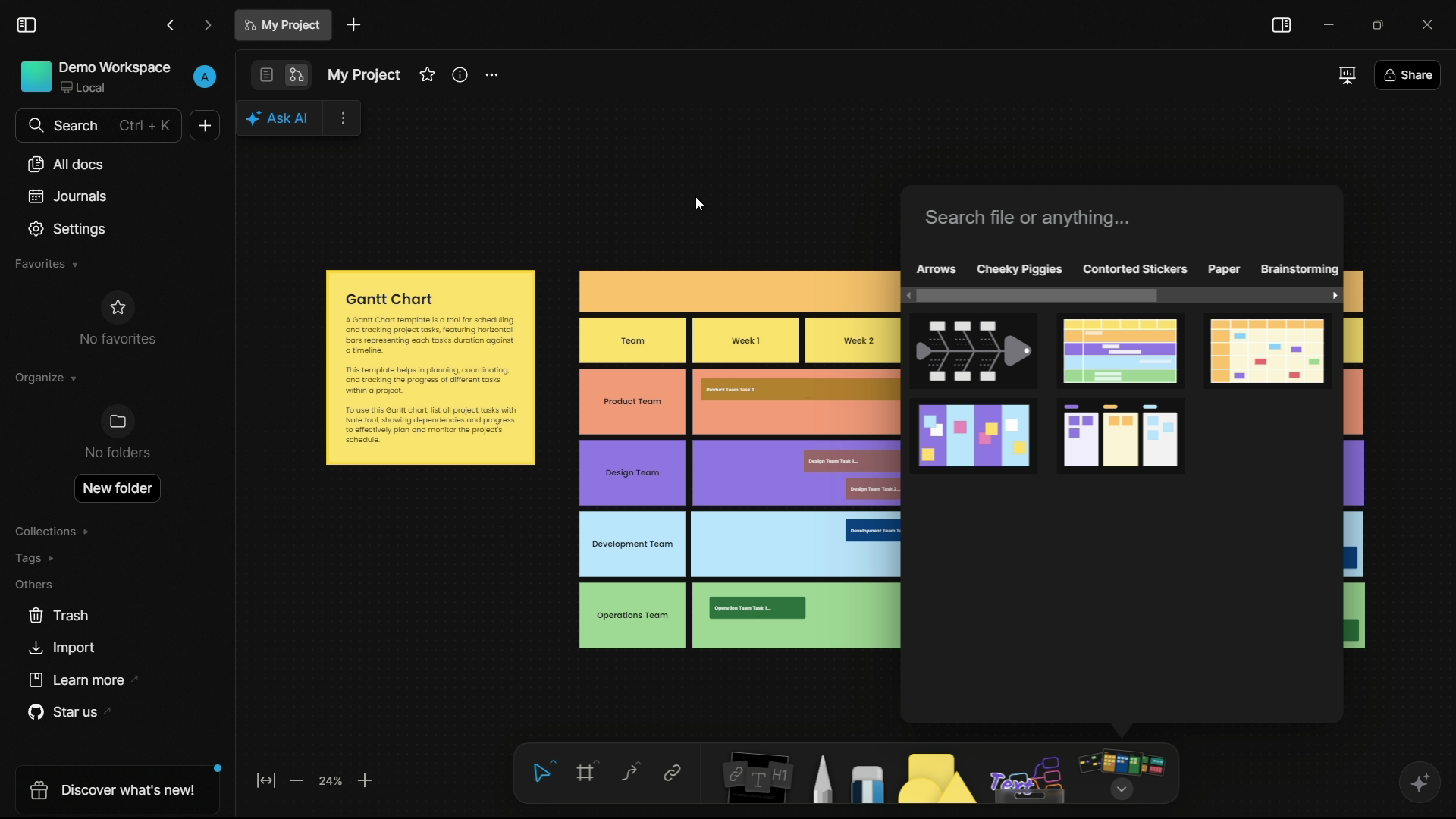 This screenshot has width=1456, height=819. What do you see at coordinates (65, 165) in the screenshot?
I see `all documents` at bounding box center [65, 165].